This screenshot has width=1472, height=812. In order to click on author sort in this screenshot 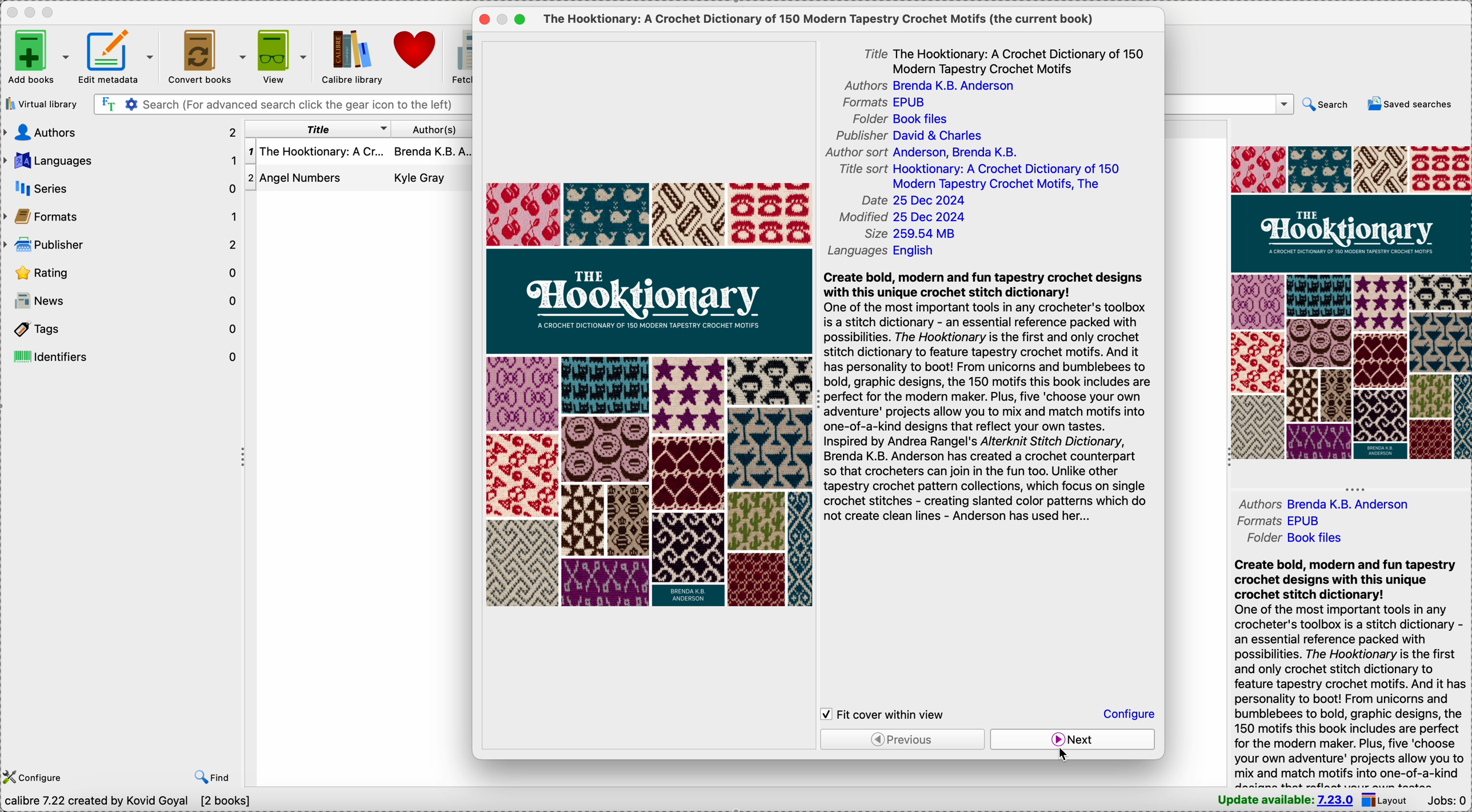, I will do `click(923, 154)`.